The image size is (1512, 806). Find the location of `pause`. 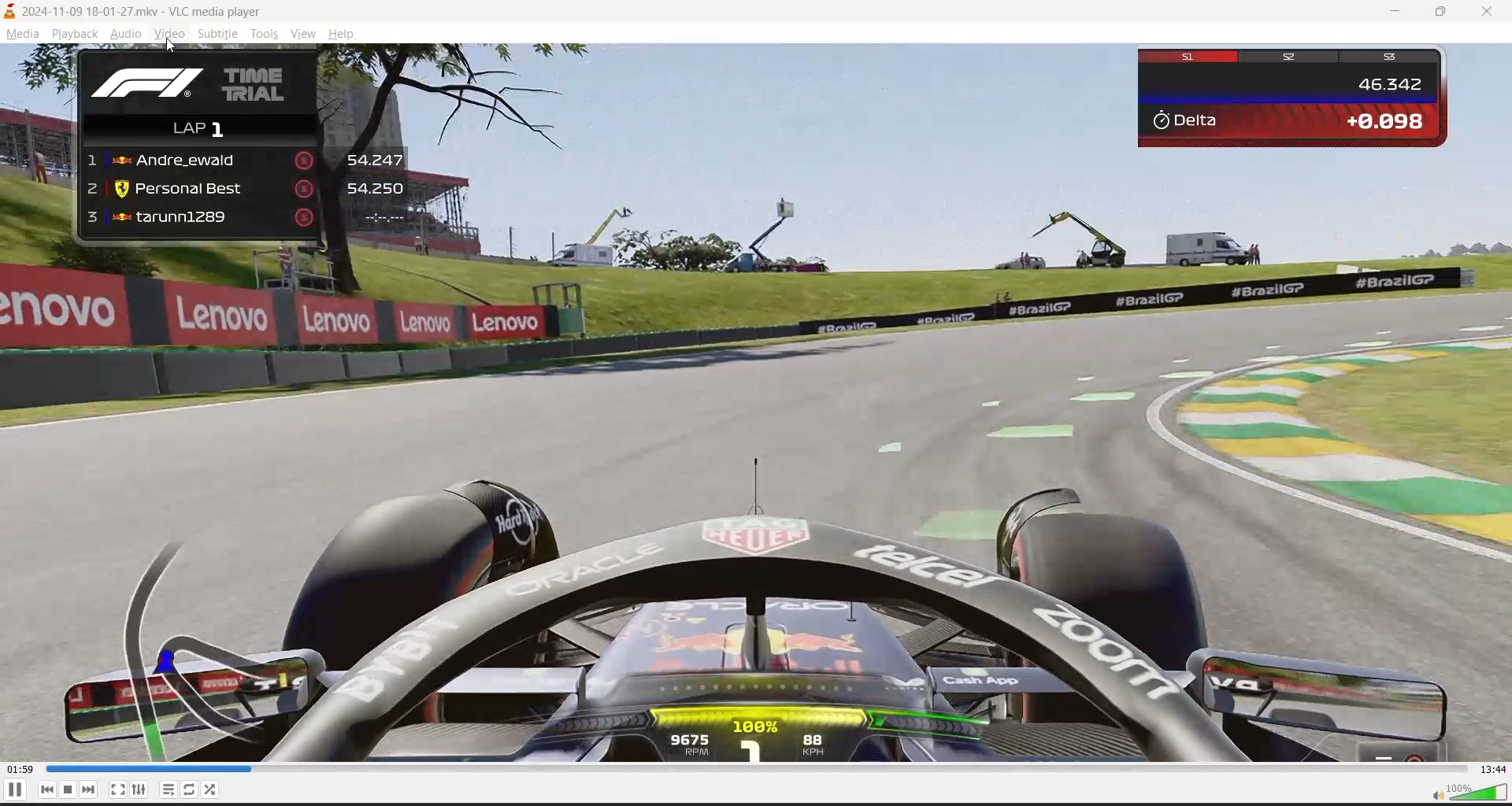

pause is located at coordinates (14, 789).